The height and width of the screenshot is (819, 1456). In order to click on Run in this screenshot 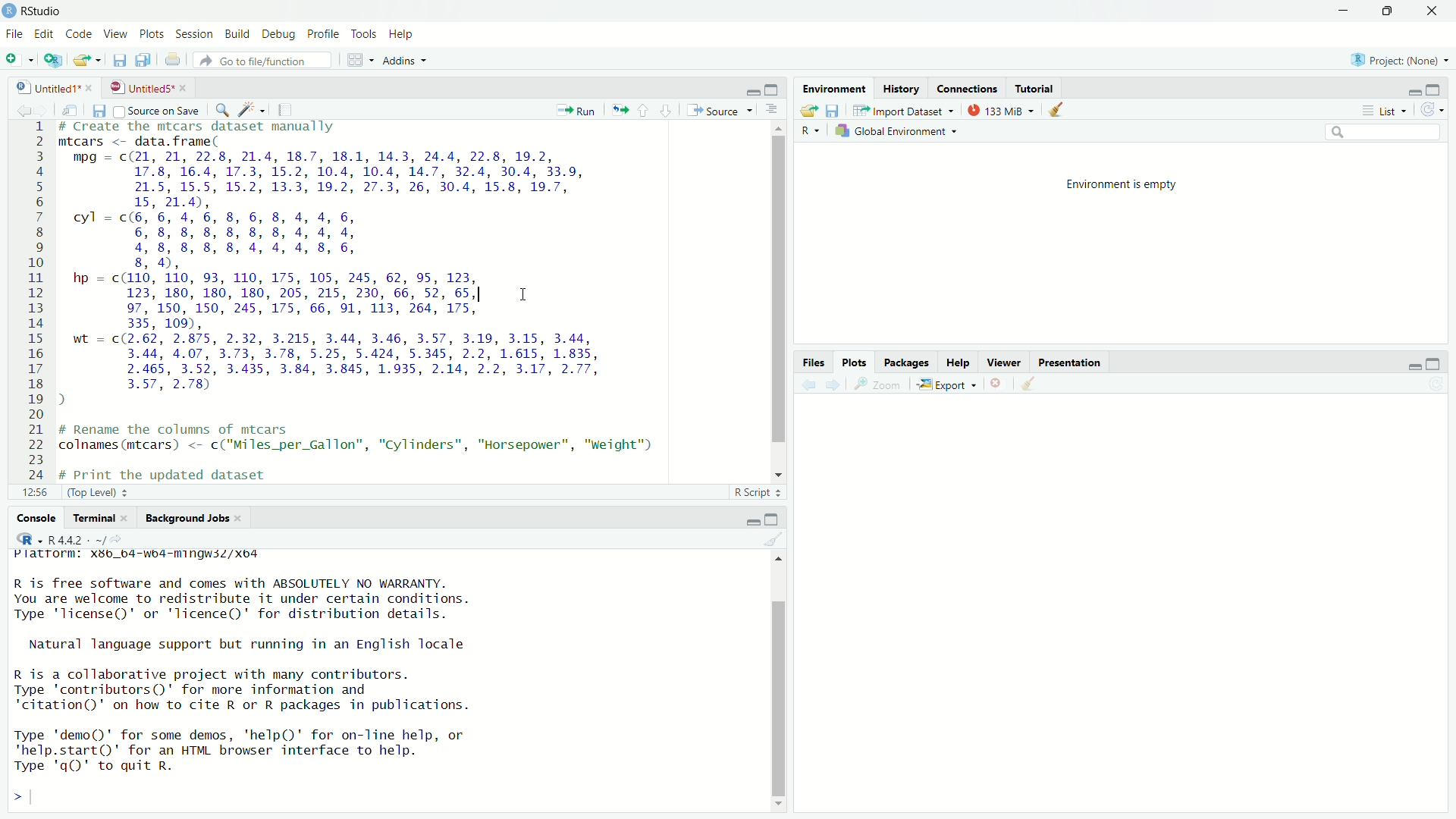, I will do `click(577, 111)`.